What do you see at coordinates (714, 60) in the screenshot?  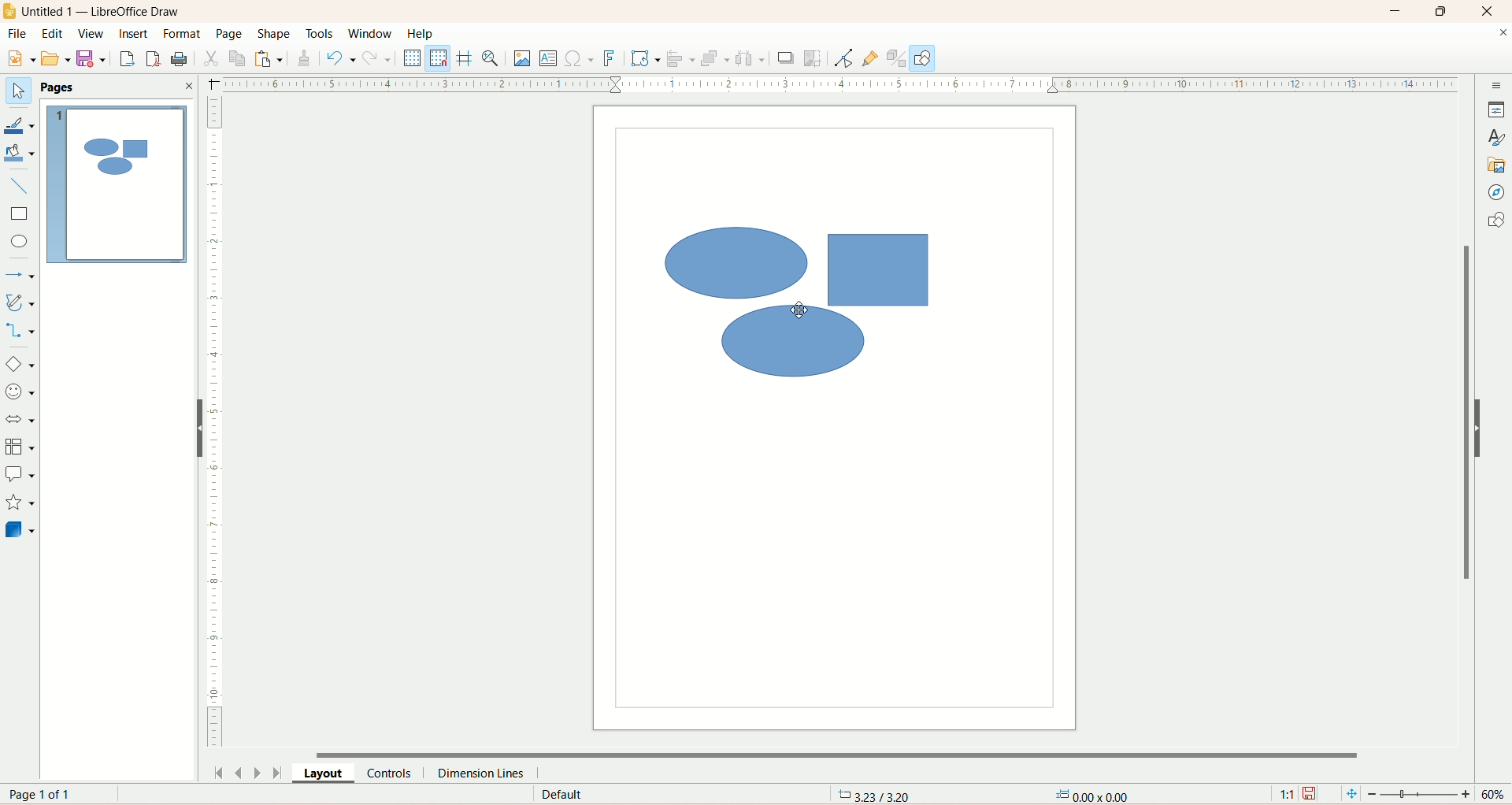 I see `arrange` at bounding box center [714, 60].